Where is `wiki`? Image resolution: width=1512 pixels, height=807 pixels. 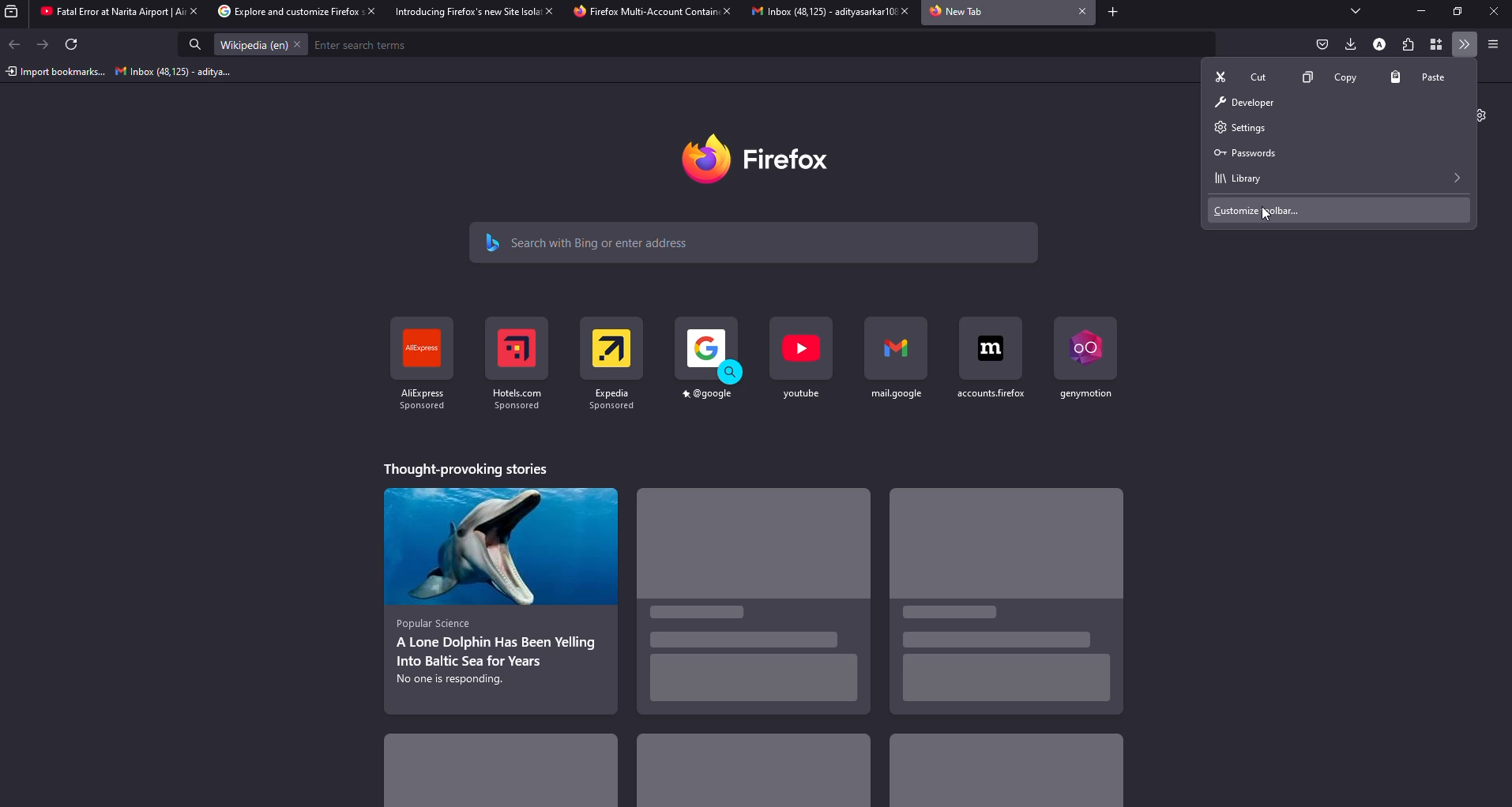 wiki is located at coordinates (251, 45).